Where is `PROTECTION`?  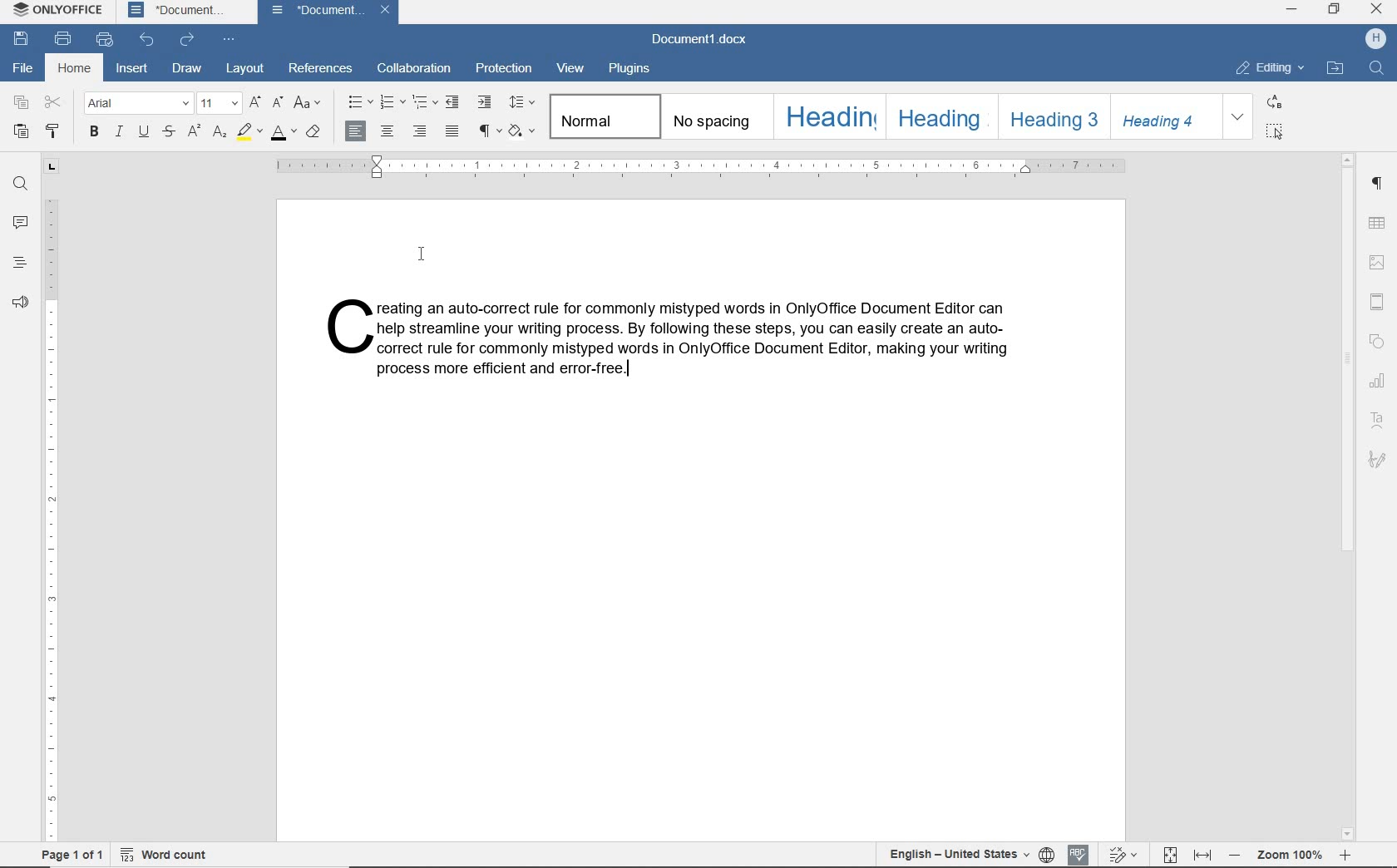 PROTECTION is located at coordinates (504, 67).